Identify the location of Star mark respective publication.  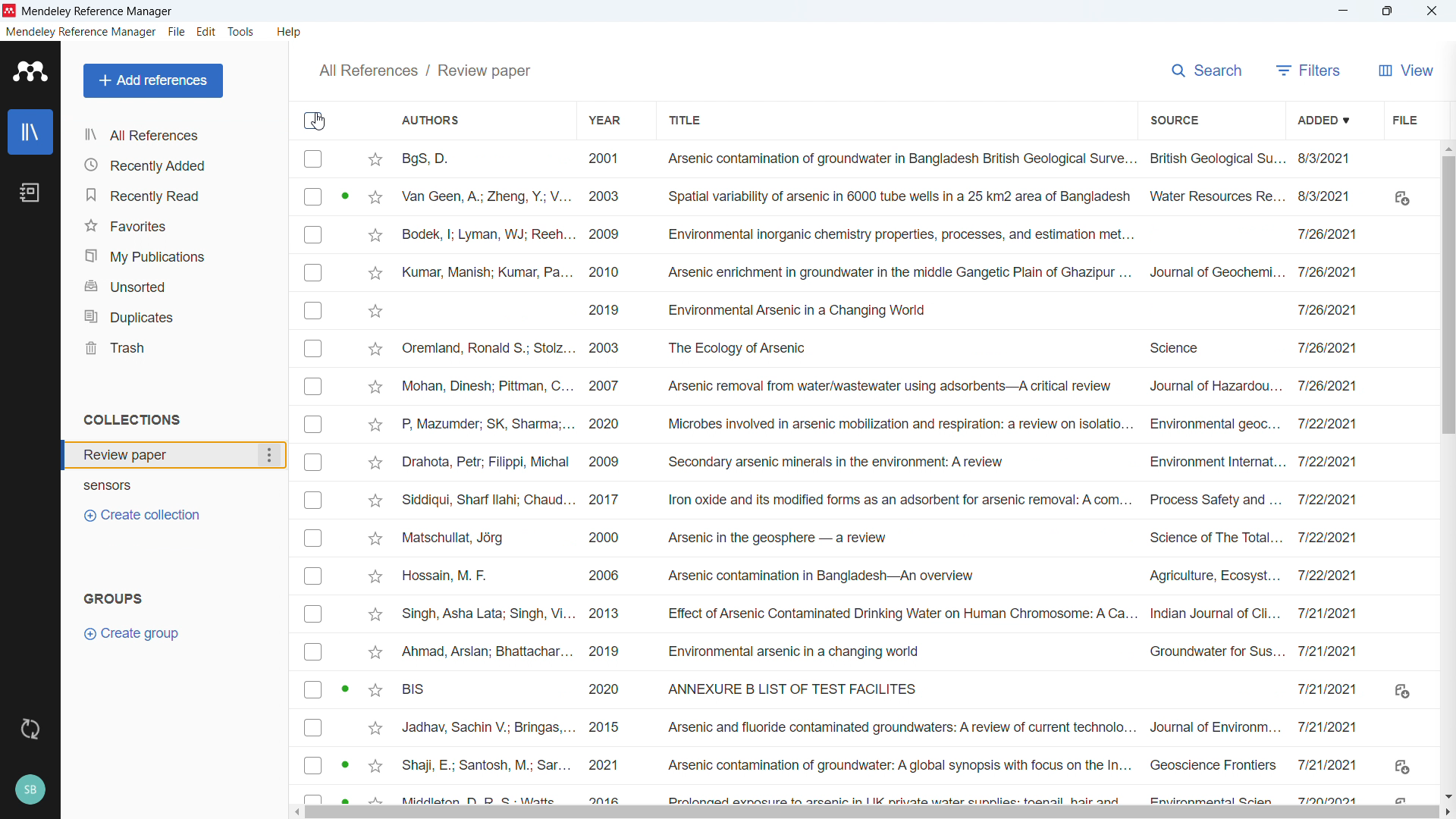
(375, 766).